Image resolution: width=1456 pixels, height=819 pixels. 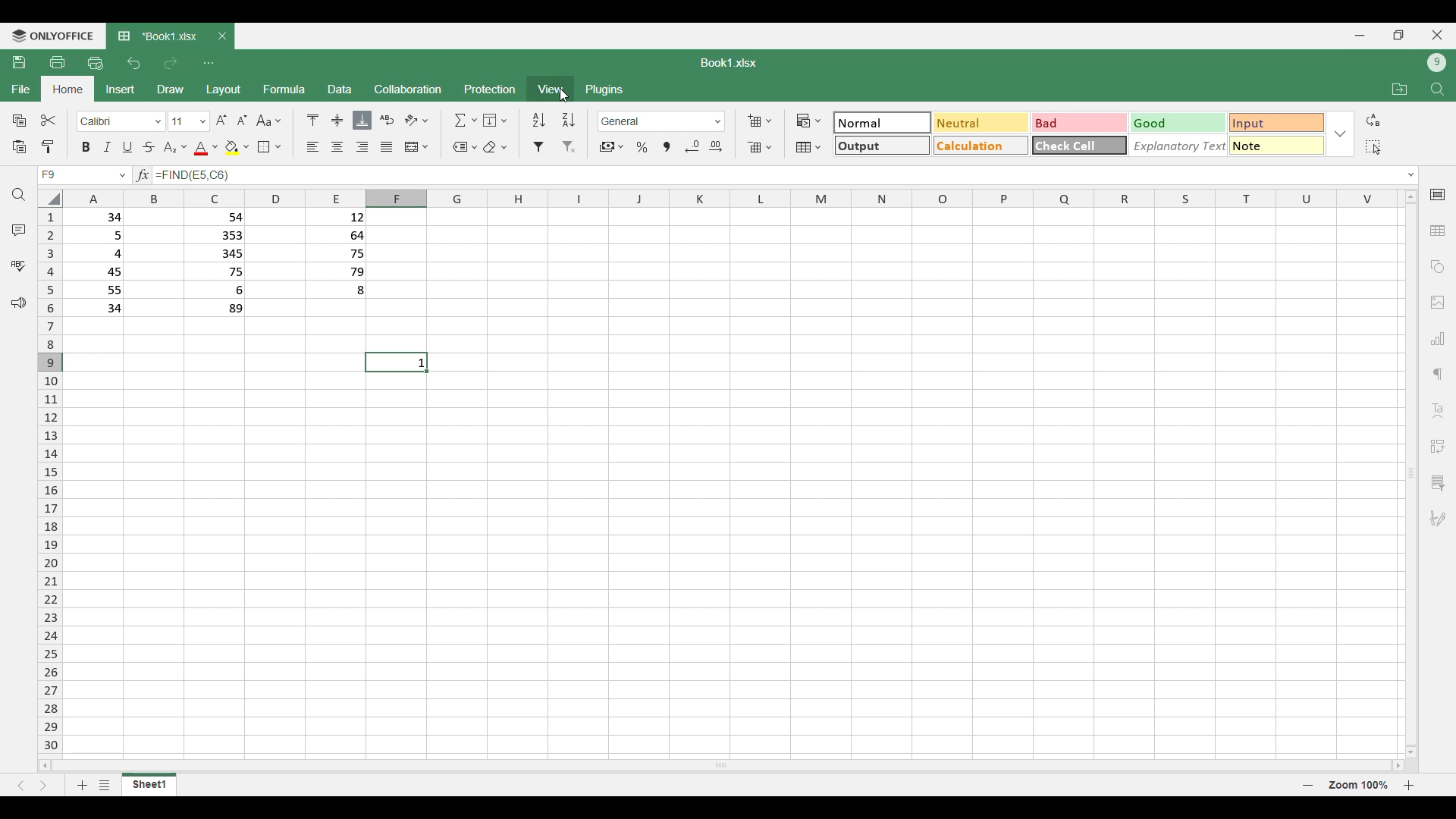 What do you see at coordinates (570, 147) in the screenshot?
I see `Remove filter` at bounding box center [570, 147].